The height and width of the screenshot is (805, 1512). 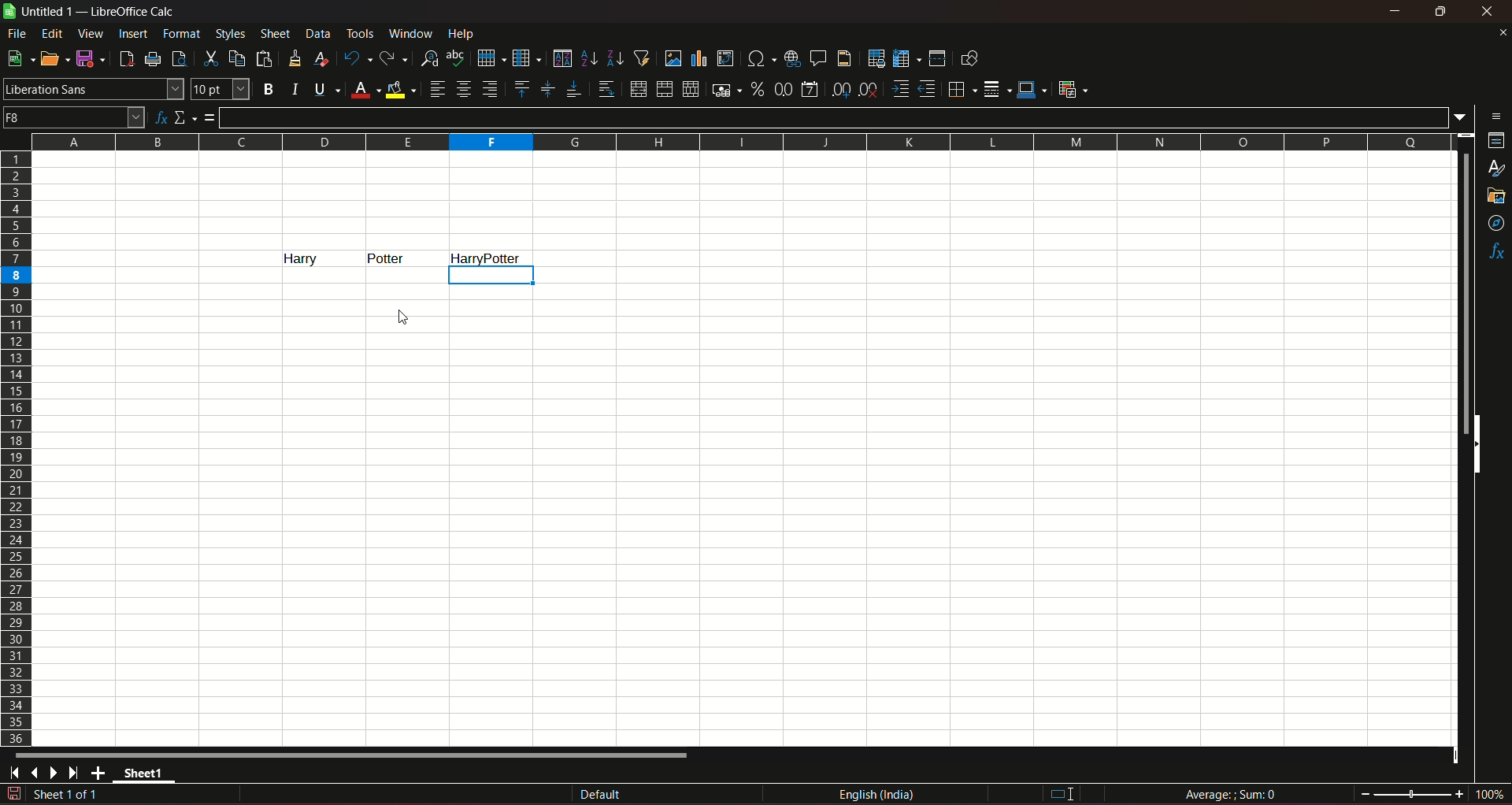 I want to click on format, so click(x=183, y=33).